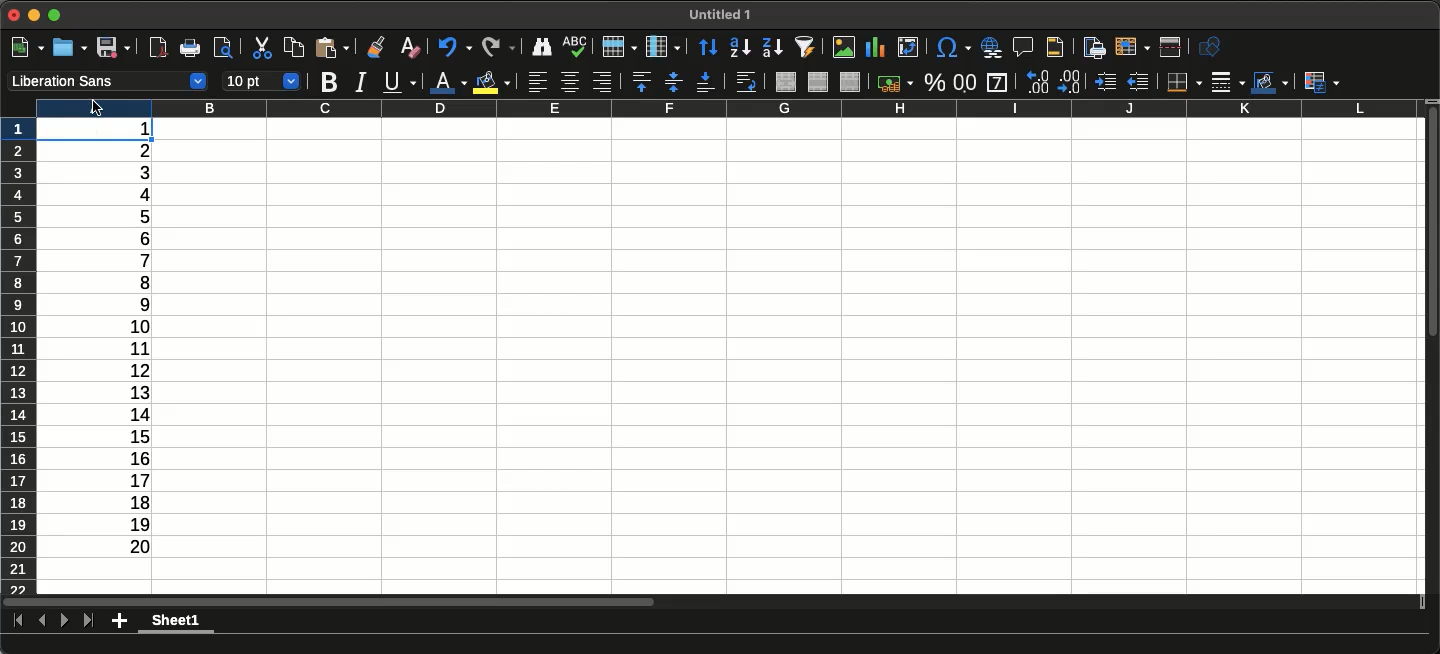  Describe the element at coordinates (157, 49) in the screenshot. I see `Export directly as PDF` at that location.